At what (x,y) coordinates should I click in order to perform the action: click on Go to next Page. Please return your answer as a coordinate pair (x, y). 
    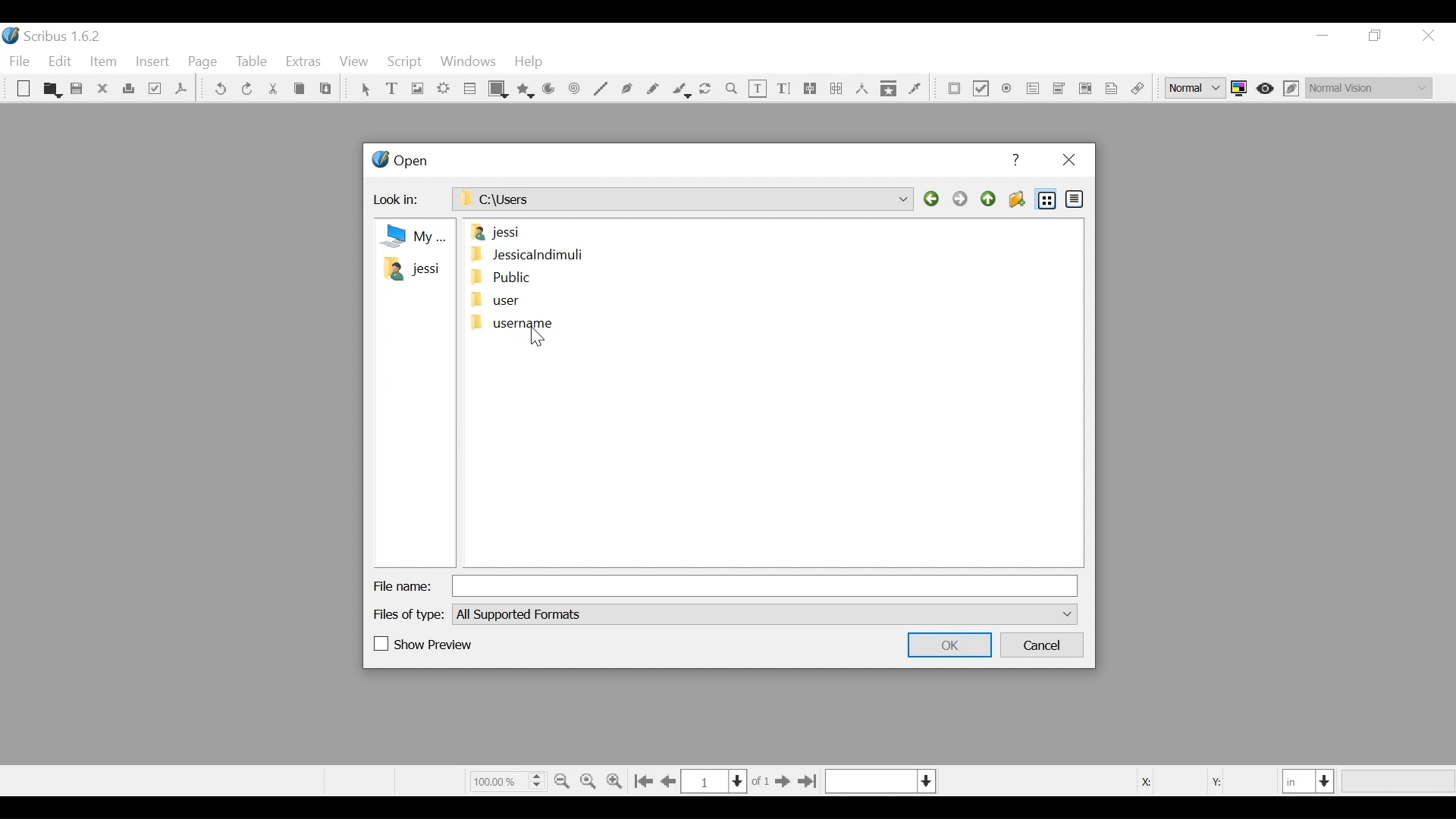
    Looking at the image, I should click on (780, 783).